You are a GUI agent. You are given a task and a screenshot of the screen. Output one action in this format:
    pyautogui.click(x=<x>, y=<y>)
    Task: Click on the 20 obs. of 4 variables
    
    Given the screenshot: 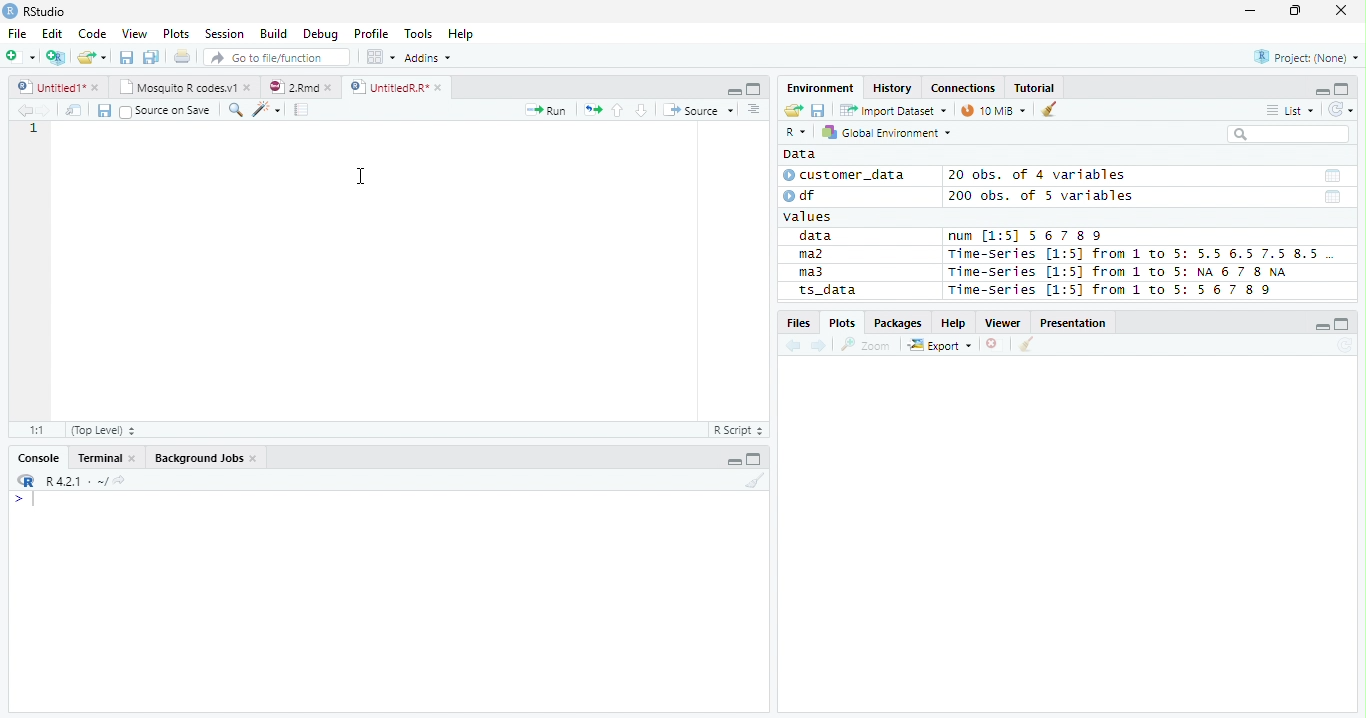 What is the action you would take?
    pyautogui.click(x=1038, y=177)
    